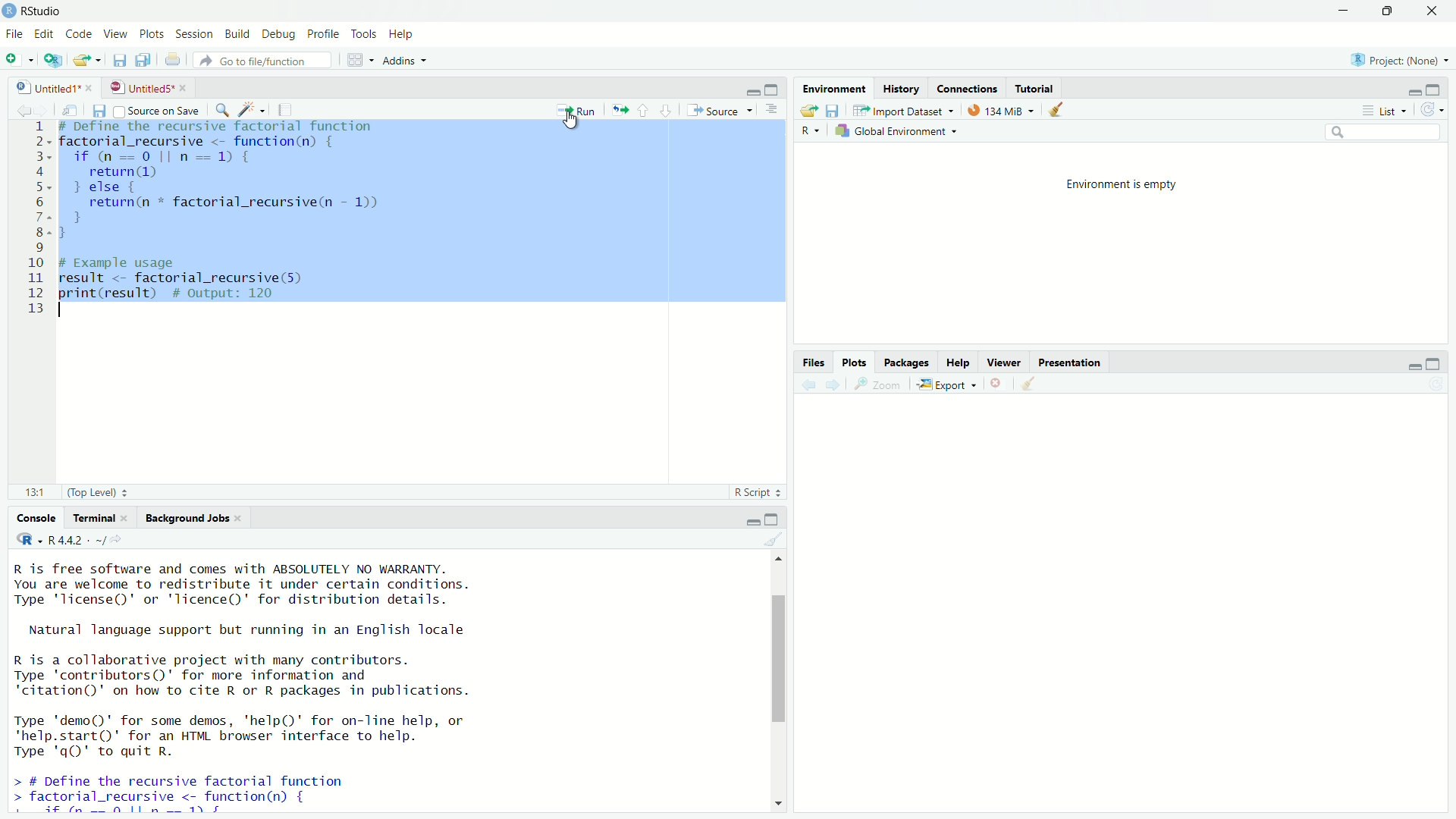 This screenshot has width=1456, height=819. What do you see at coordinates (36, 490) in the screenshot?
I see `13:1` at bounding box center [36, 490].